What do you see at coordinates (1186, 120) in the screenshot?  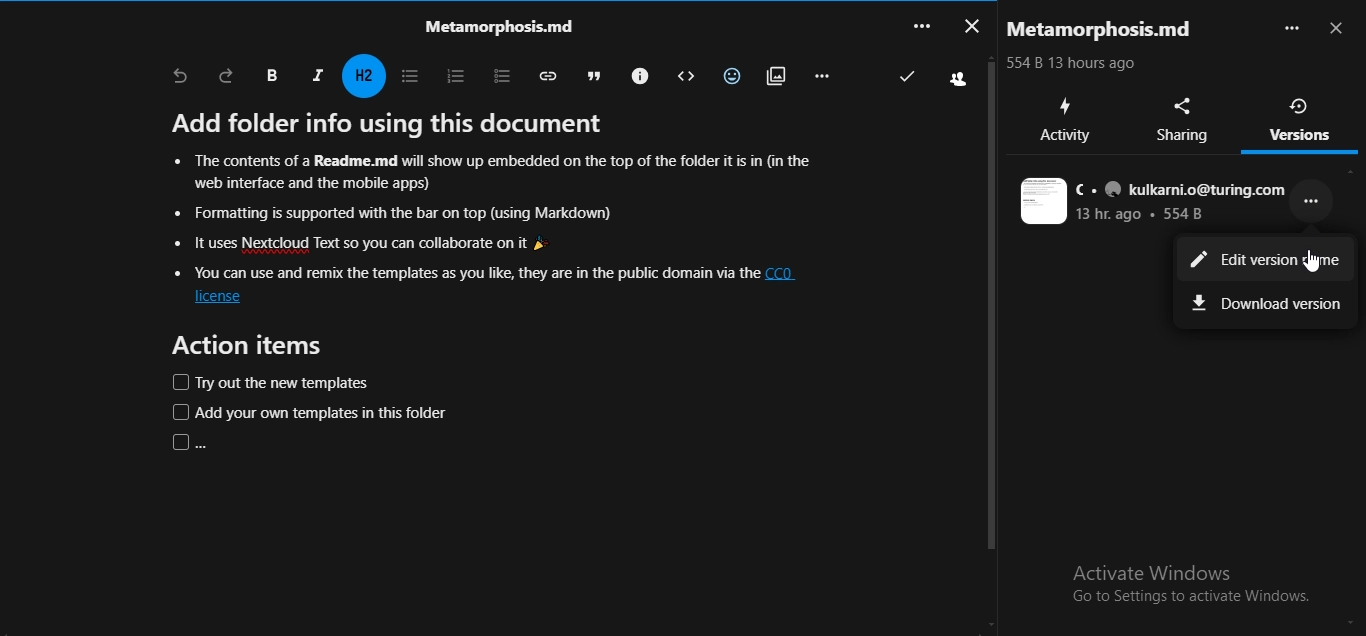 I see `sharing` at bounding box center [1186, 120].